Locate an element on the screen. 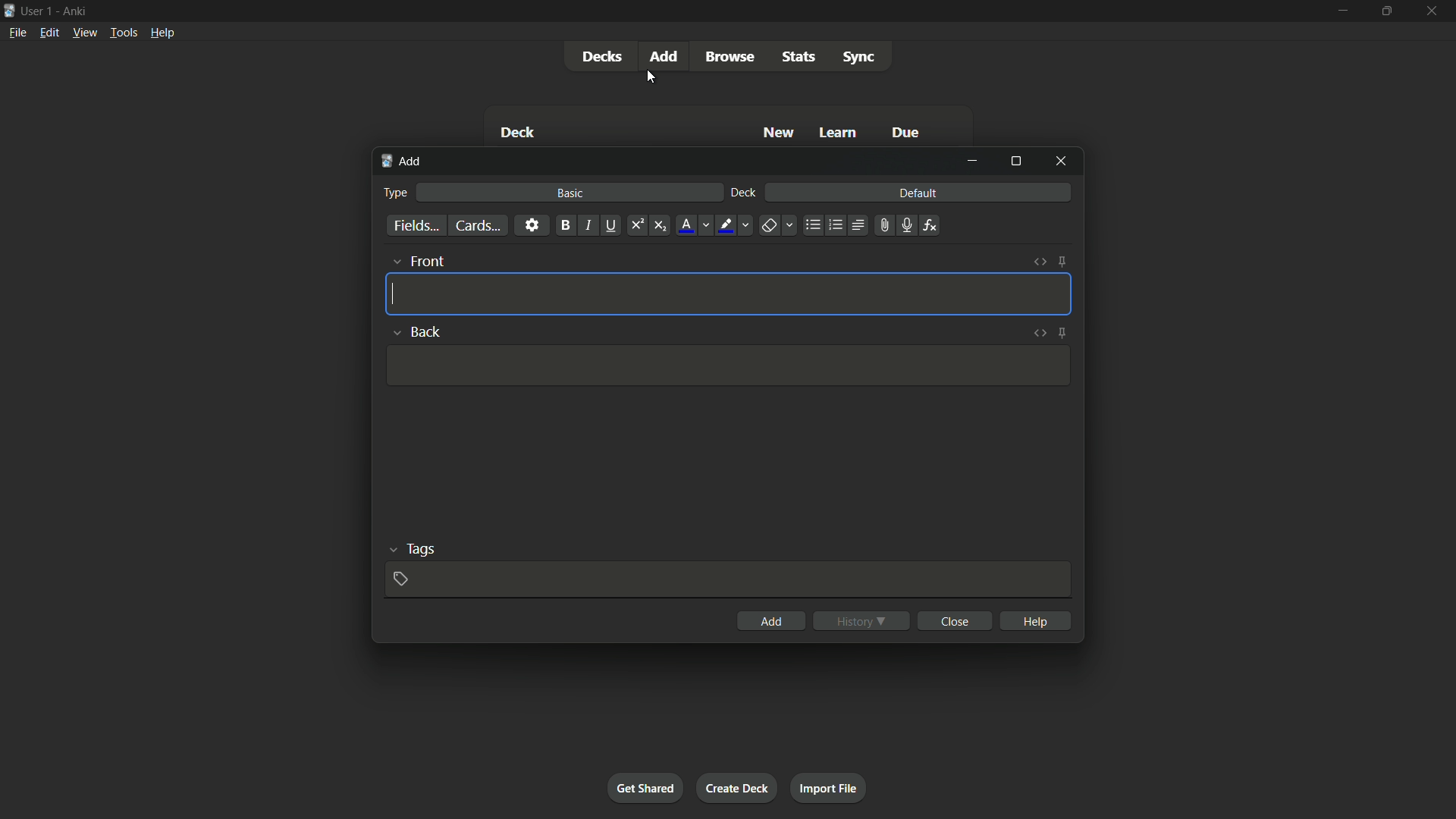 This screenshot has width=1456, height=819. toggle html editor is located at coordinates (1040, 262).